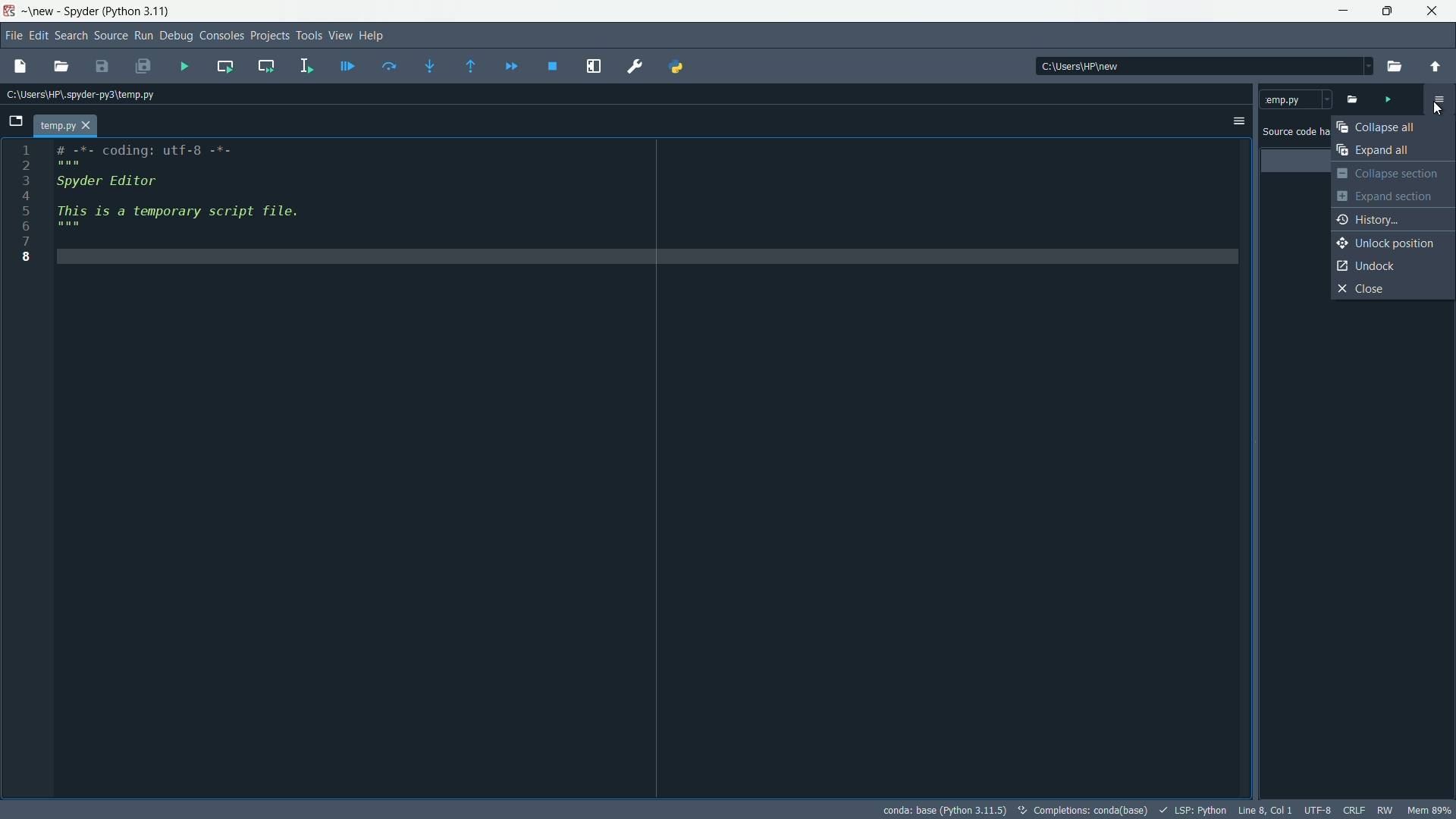  What do you see at coordinates (1345, 11) in the screenshot?
I see `minimize` at bounding box center [1345, 11].